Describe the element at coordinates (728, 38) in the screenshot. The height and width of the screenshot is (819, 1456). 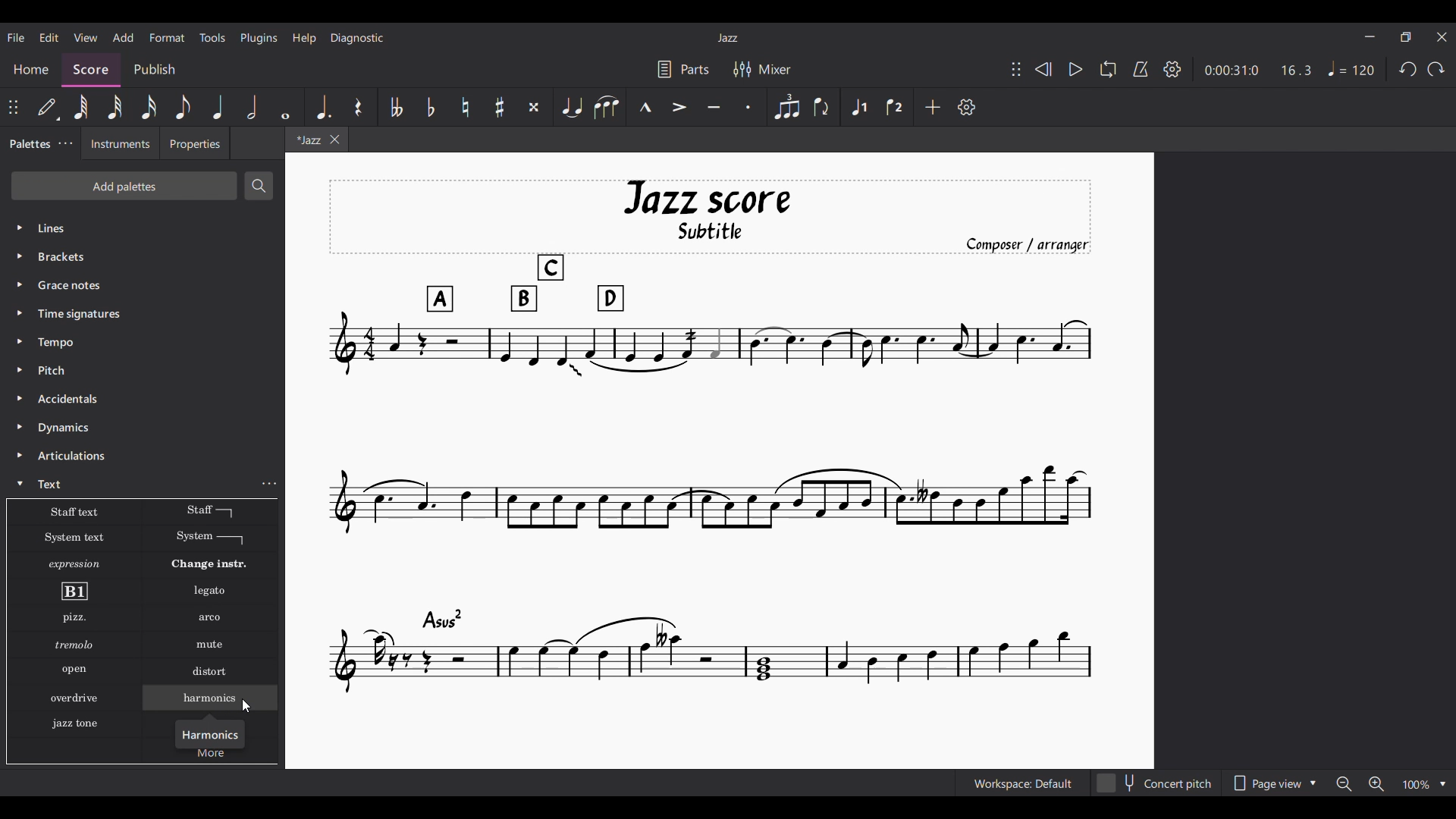
I see `Current score title` at that location.